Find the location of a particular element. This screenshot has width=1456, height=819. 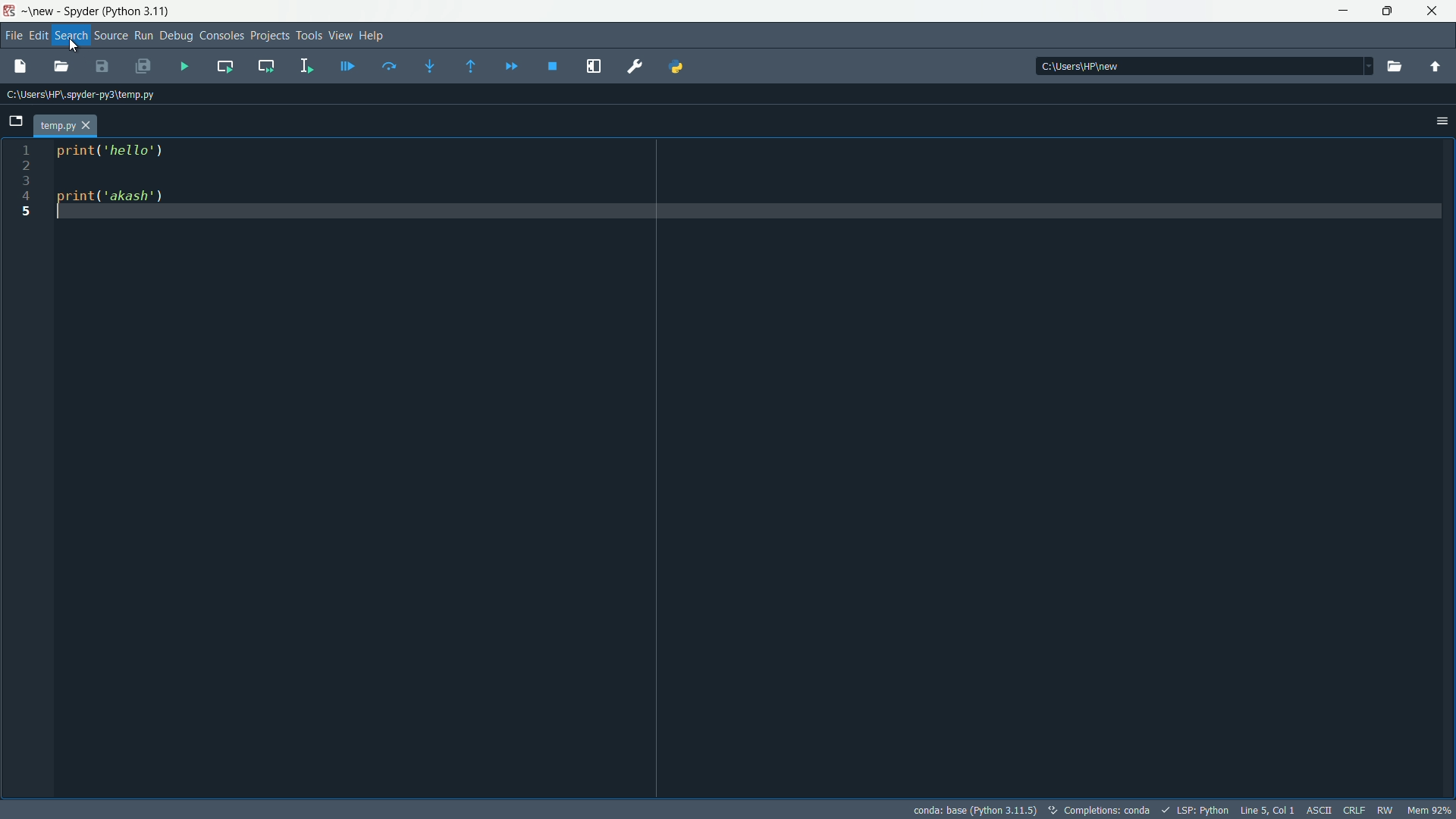

print('hello') print('akash') is located at coordinates (748, 468).